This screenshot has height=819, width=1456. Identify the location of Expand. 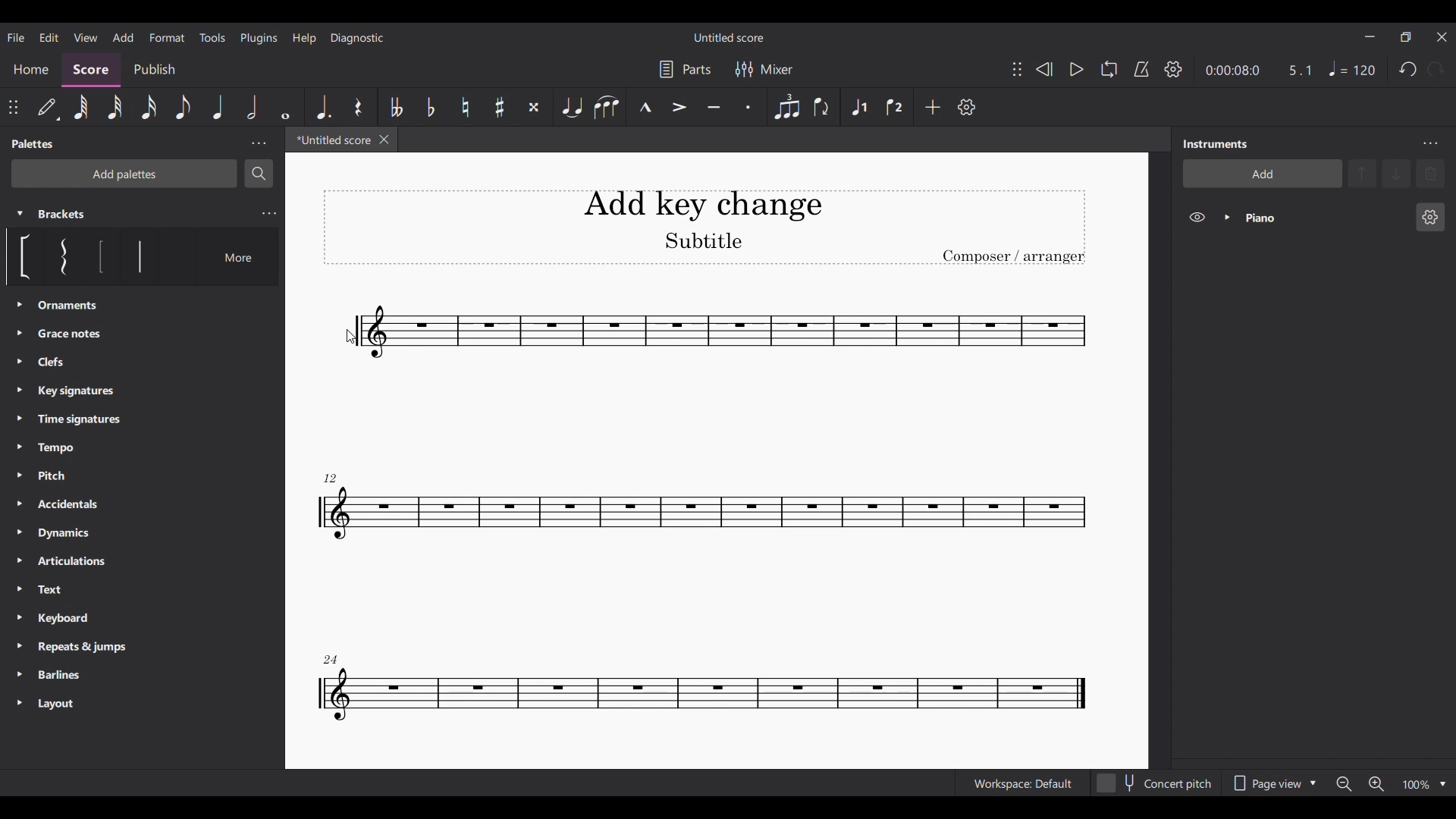
(1228, 217).